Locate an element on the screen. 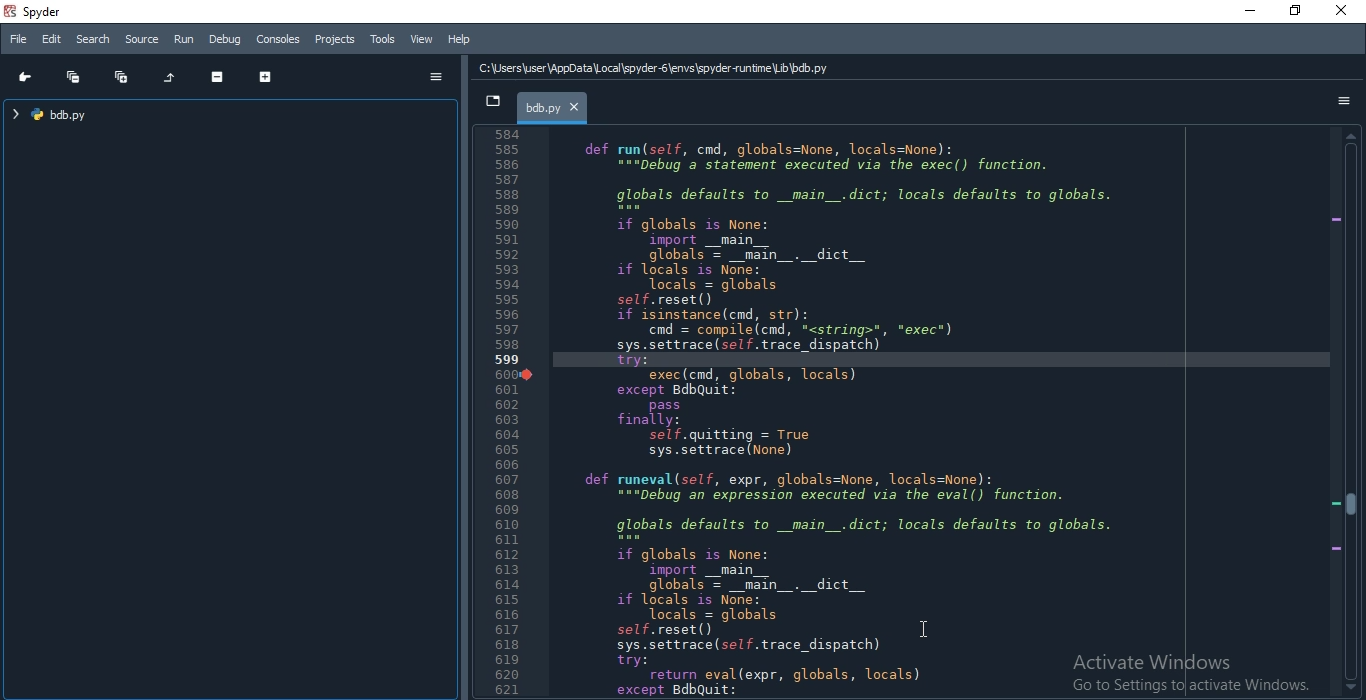 This screenshot has width=1366, height=700. scroll bar is located at coordinates (1351, 412).